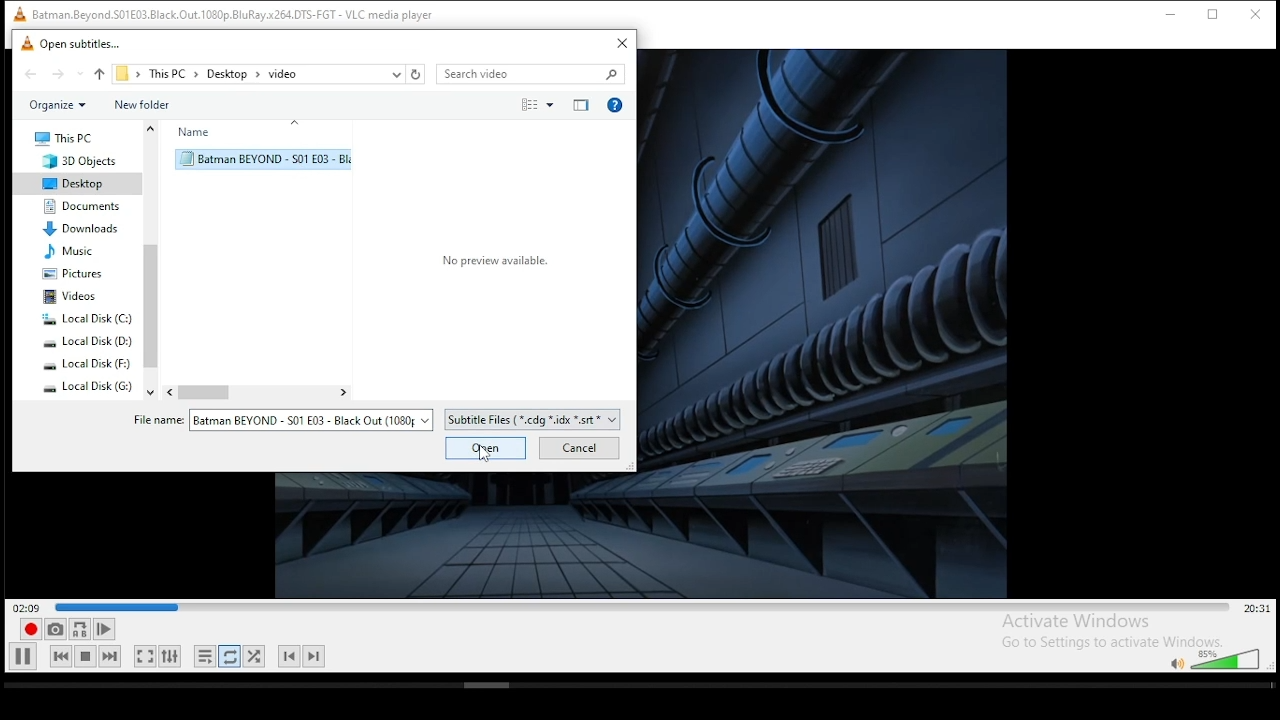 The height and width of the screenshot is (720, 1280). Describe the element at coordinates (315, 656) in the screenshot. I see `next chapter` at that location.